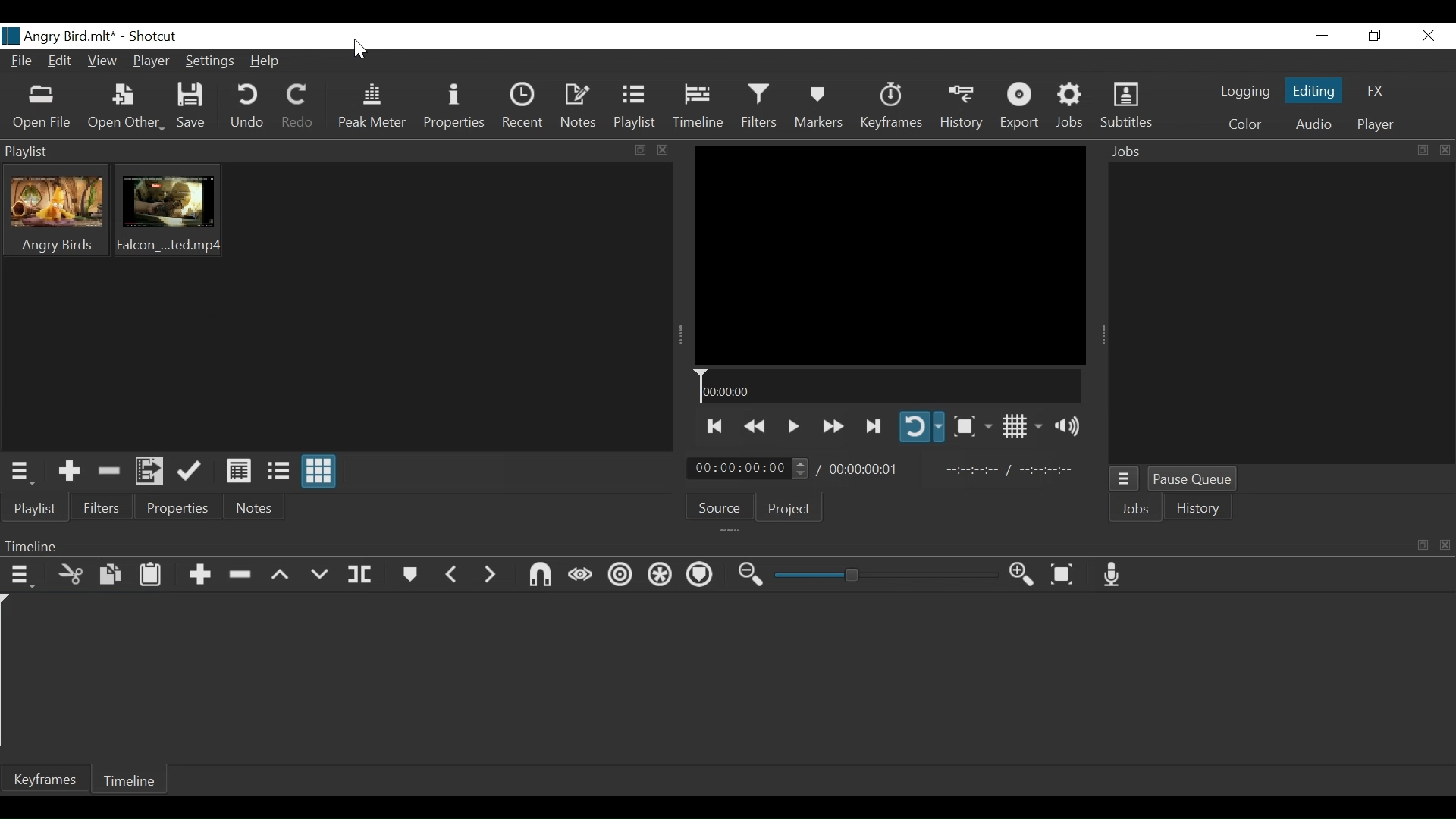 The width and height of the screenshot is (1456, 819). What do you see at coordinates (759, 108) in the screenshot?
I see `` at bounding box center [759, 108].